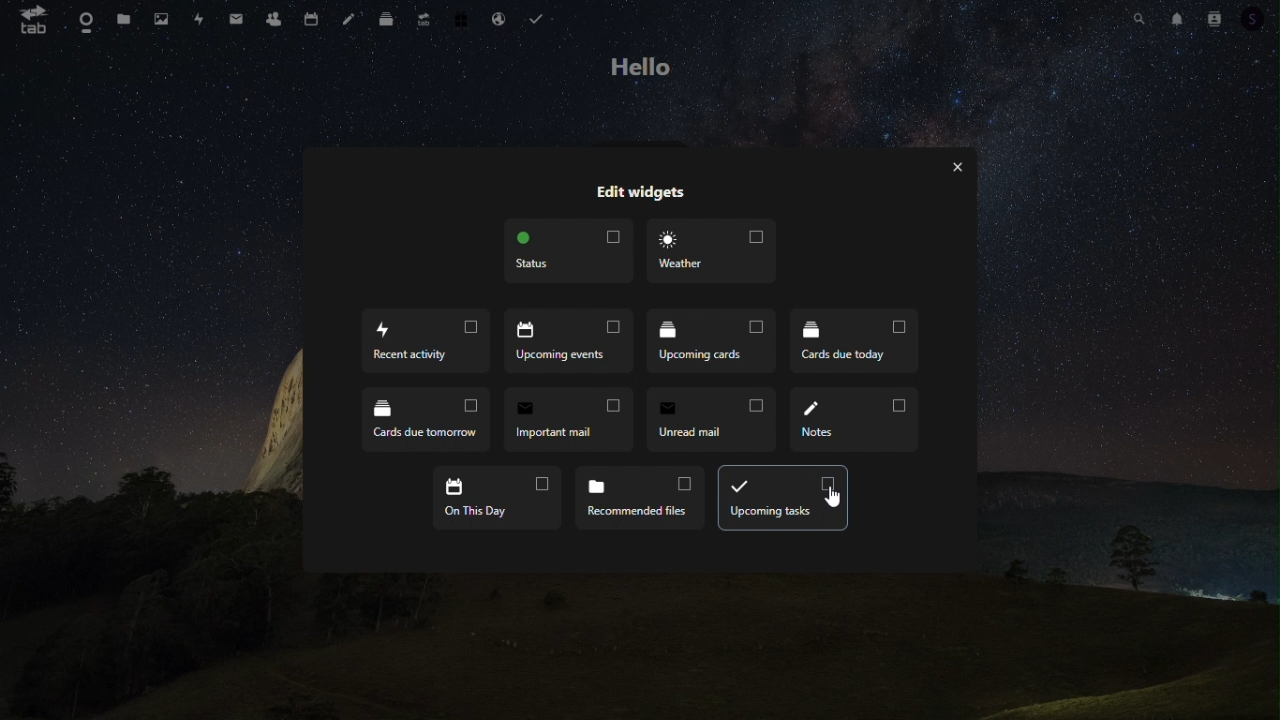 This screenshot has height=720, width=1280. Describe the element at coordinates (711, 251) in the screenshot. I see `weather` at that location.